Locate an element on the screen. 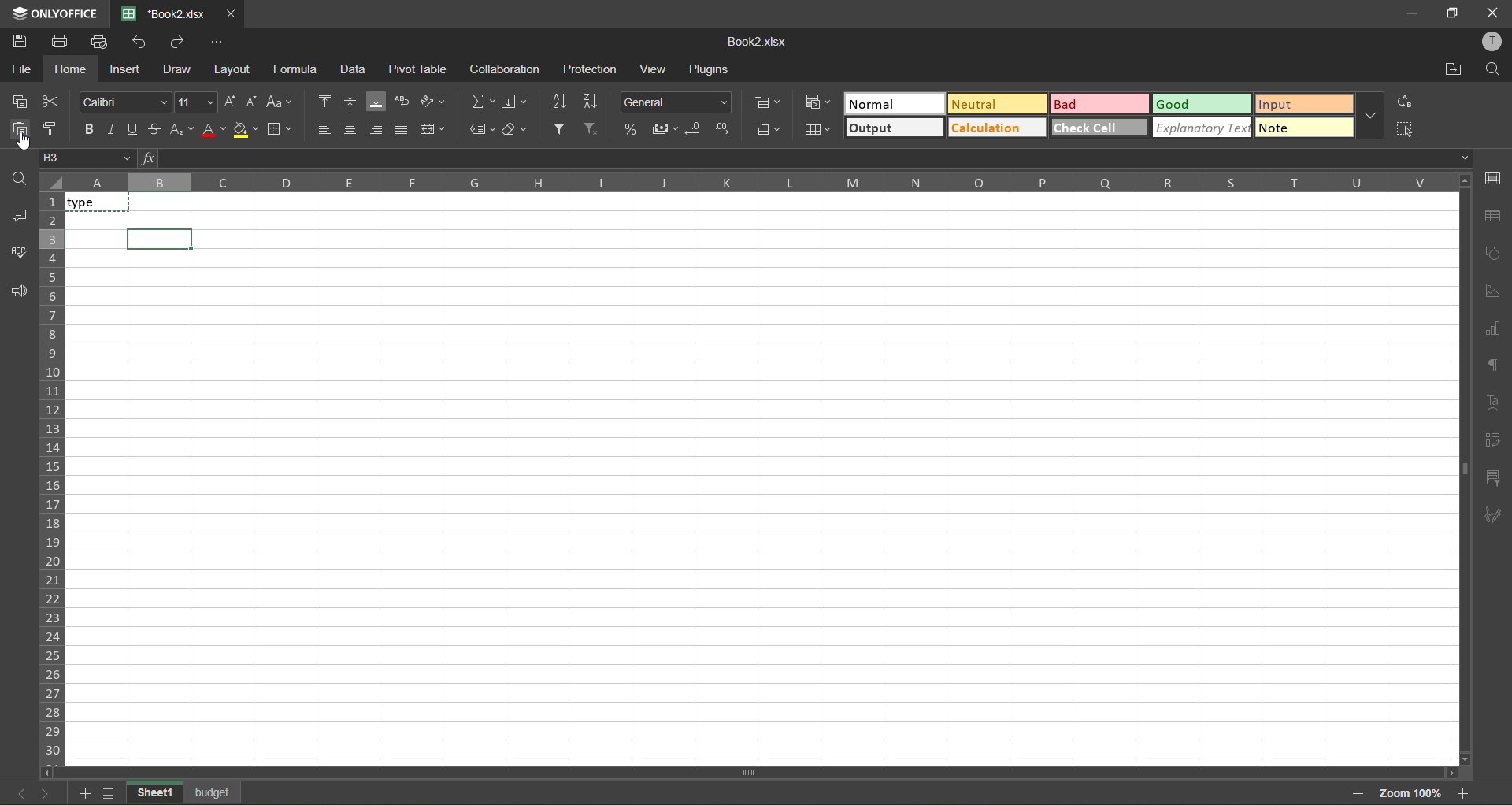  Cursor is located at coordinates (23, 143).